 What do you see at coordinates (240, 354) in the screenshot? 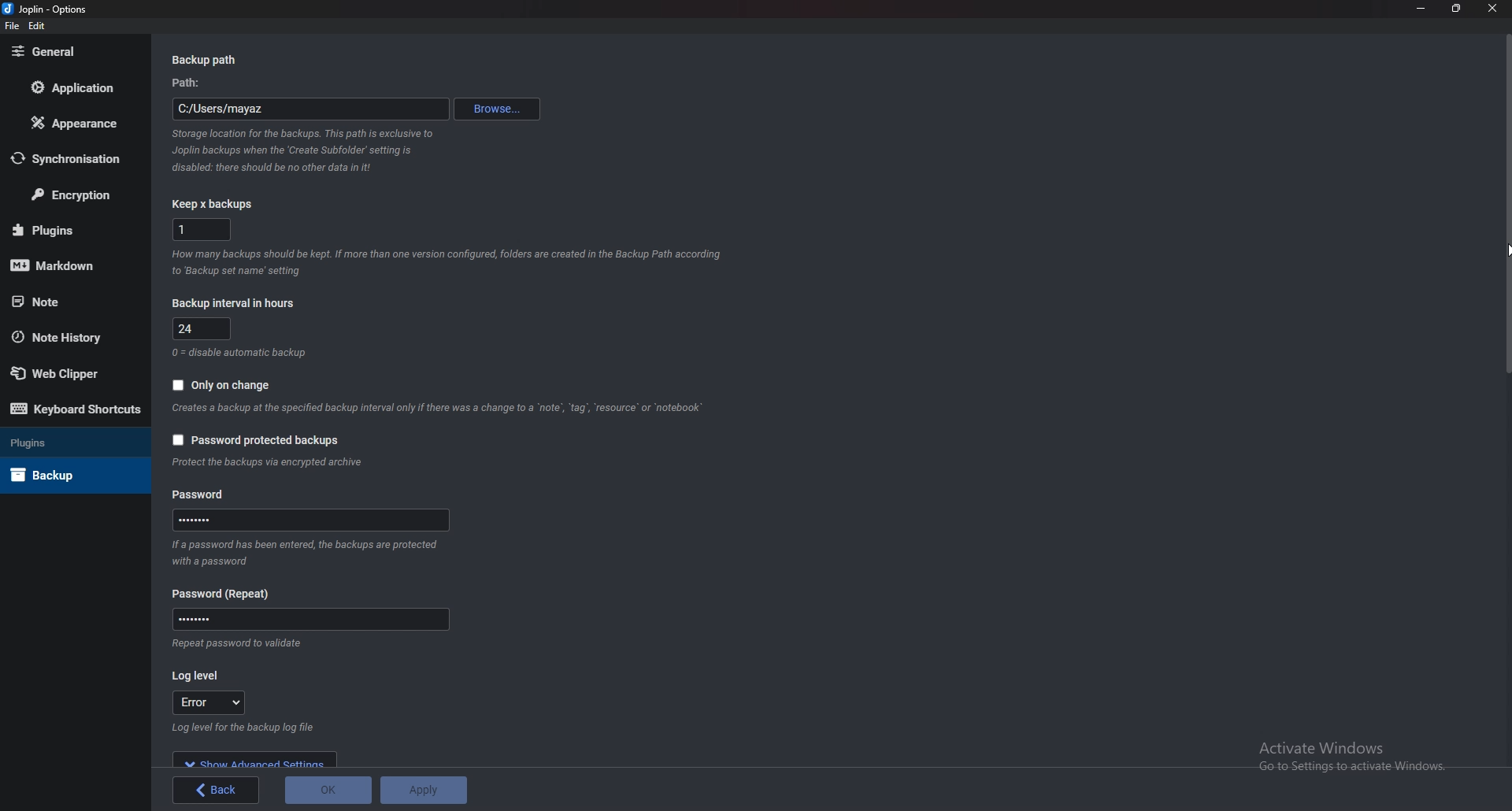
I see `Info` at bounding box center [240, 354].